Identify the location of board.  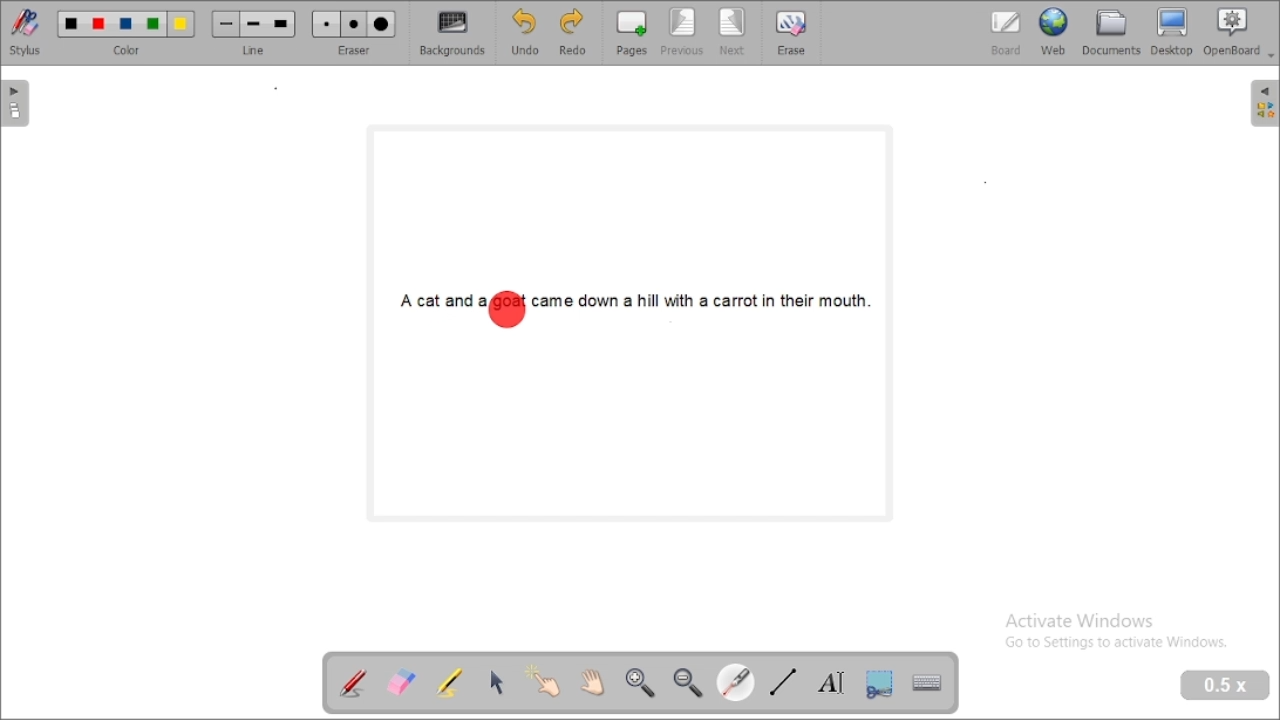
(1005, 34).